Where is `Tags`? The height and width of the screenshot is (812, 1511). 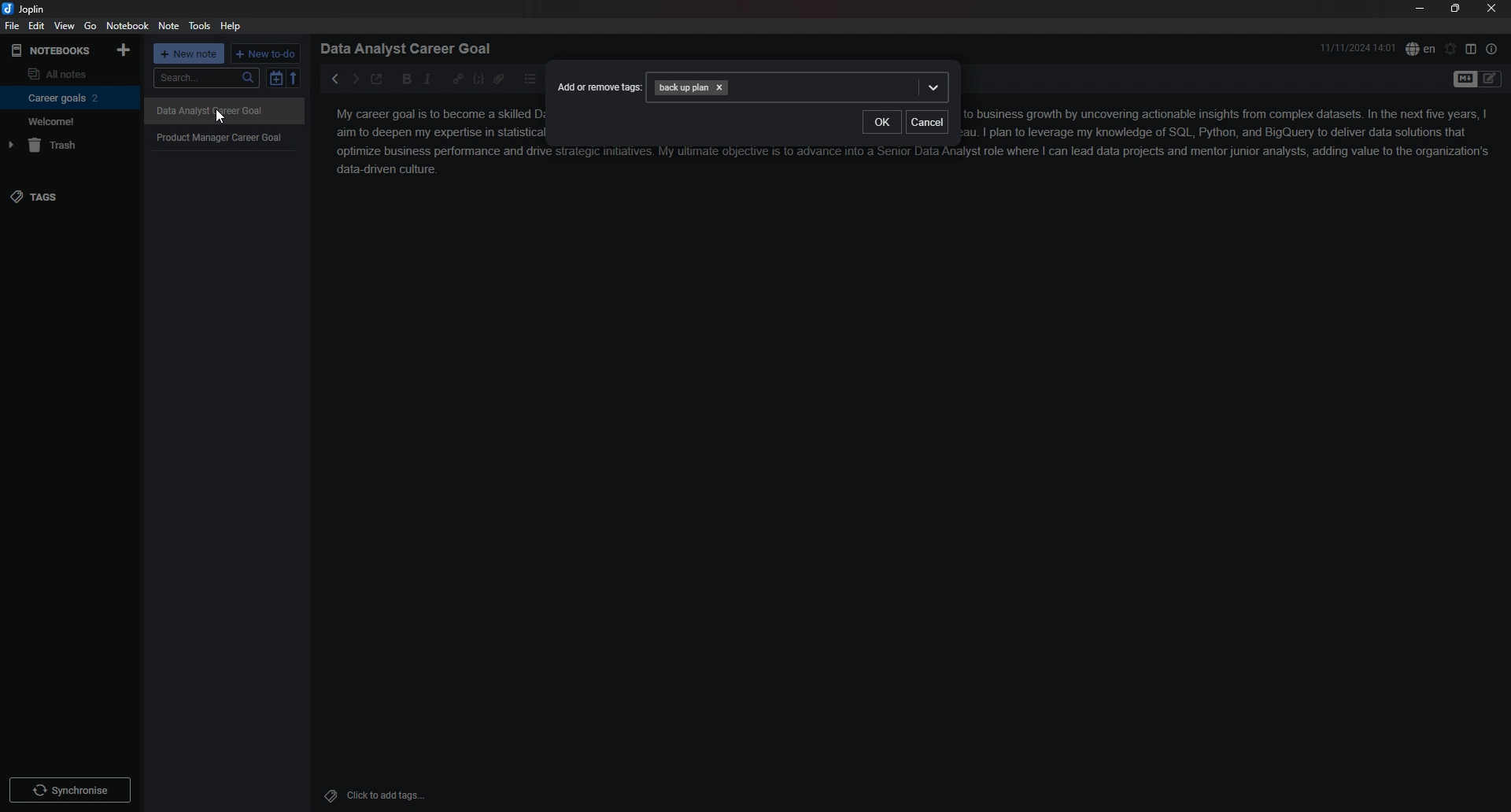
Tags is located at coordinates (327, 794).